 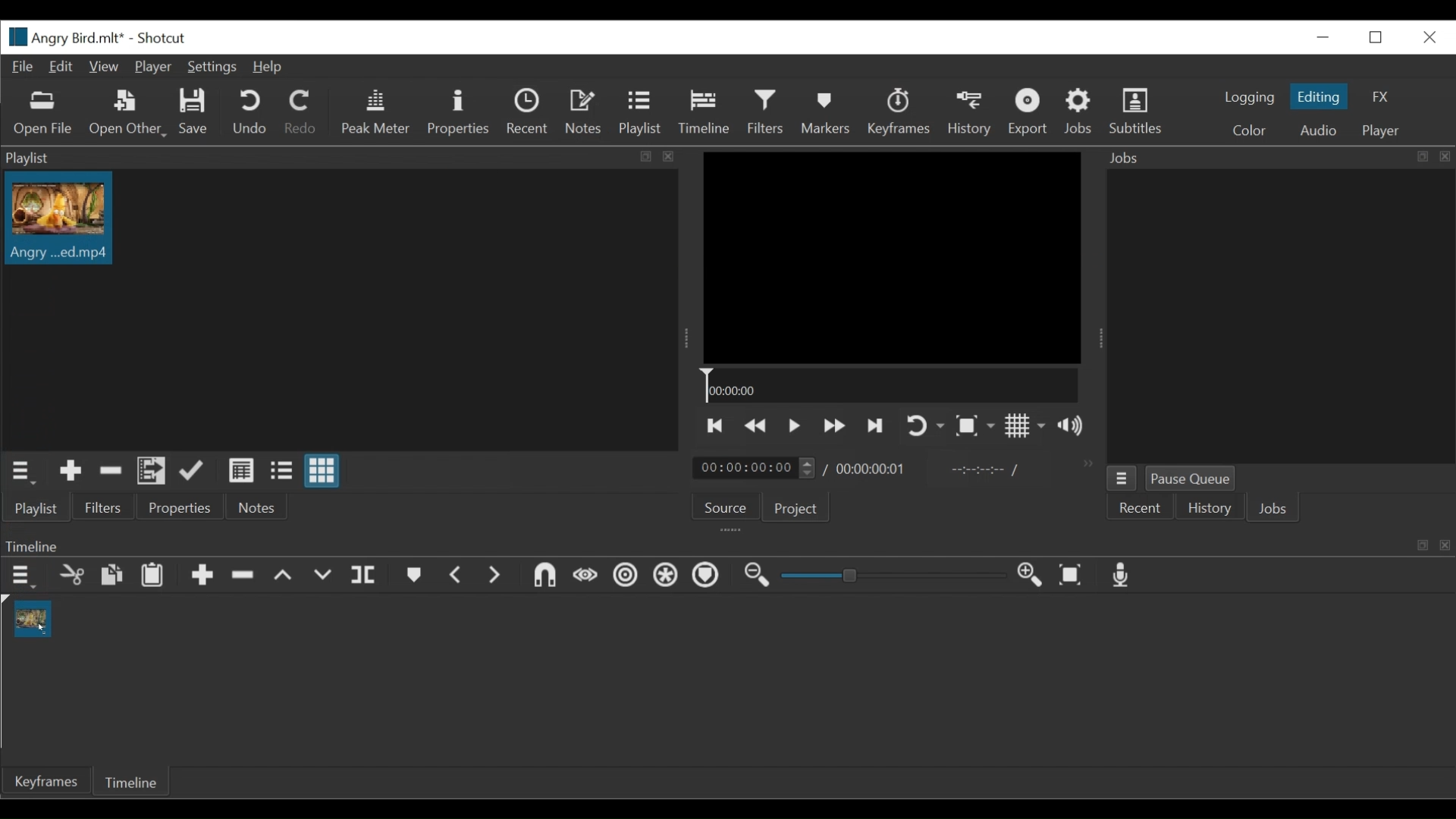 I want to click on Color, so click(x=1248, y=132).